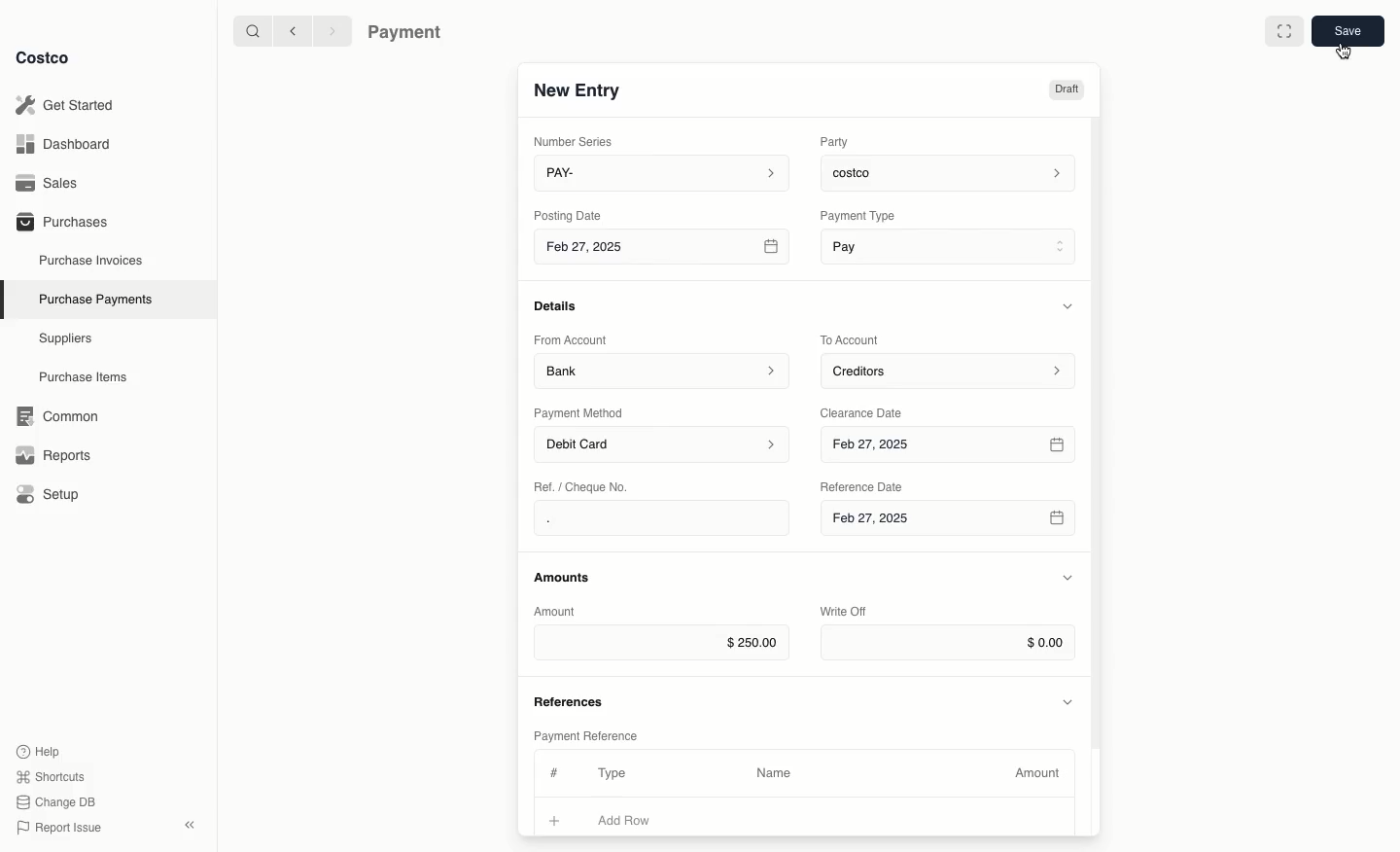 This screenshot has height=852, width=1400. Describe the element at coordinates (852, 339) in the screenshot. I see `To Account` at that location.